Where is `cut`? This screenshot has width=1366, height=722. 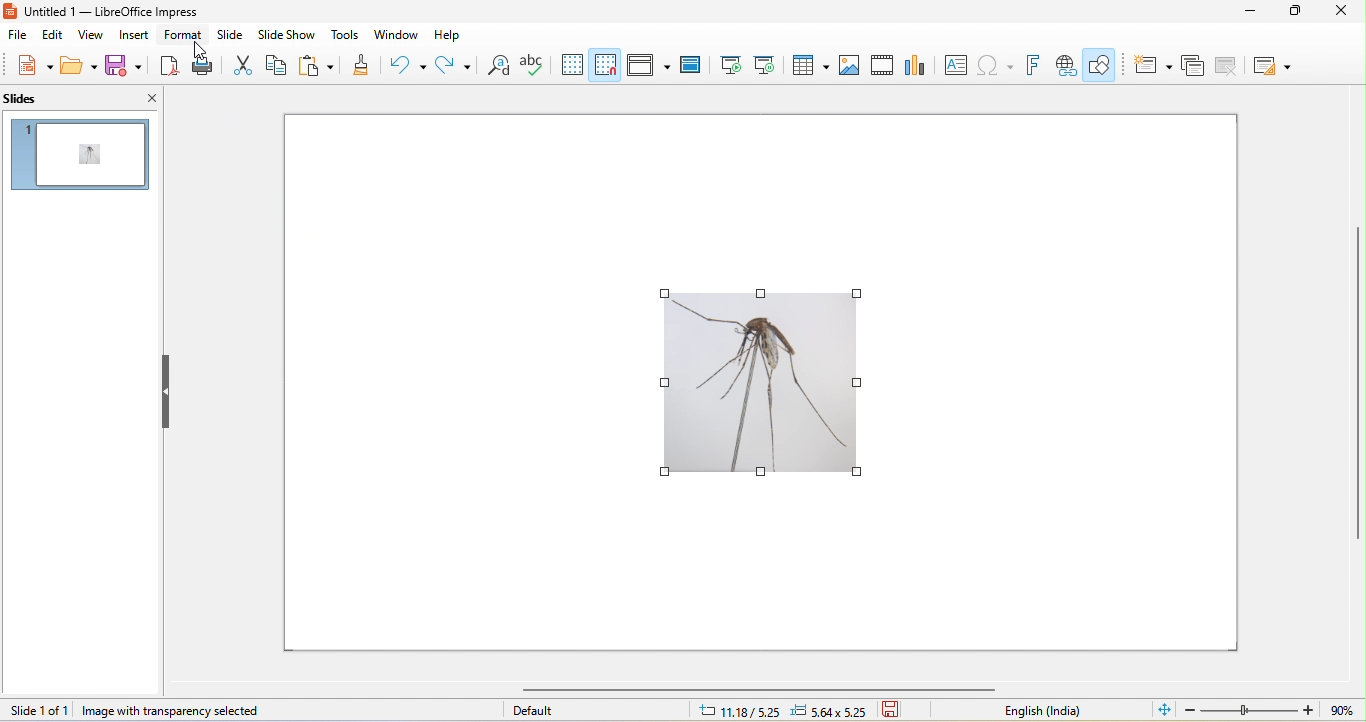 cut is located at coordinates (247, 64).